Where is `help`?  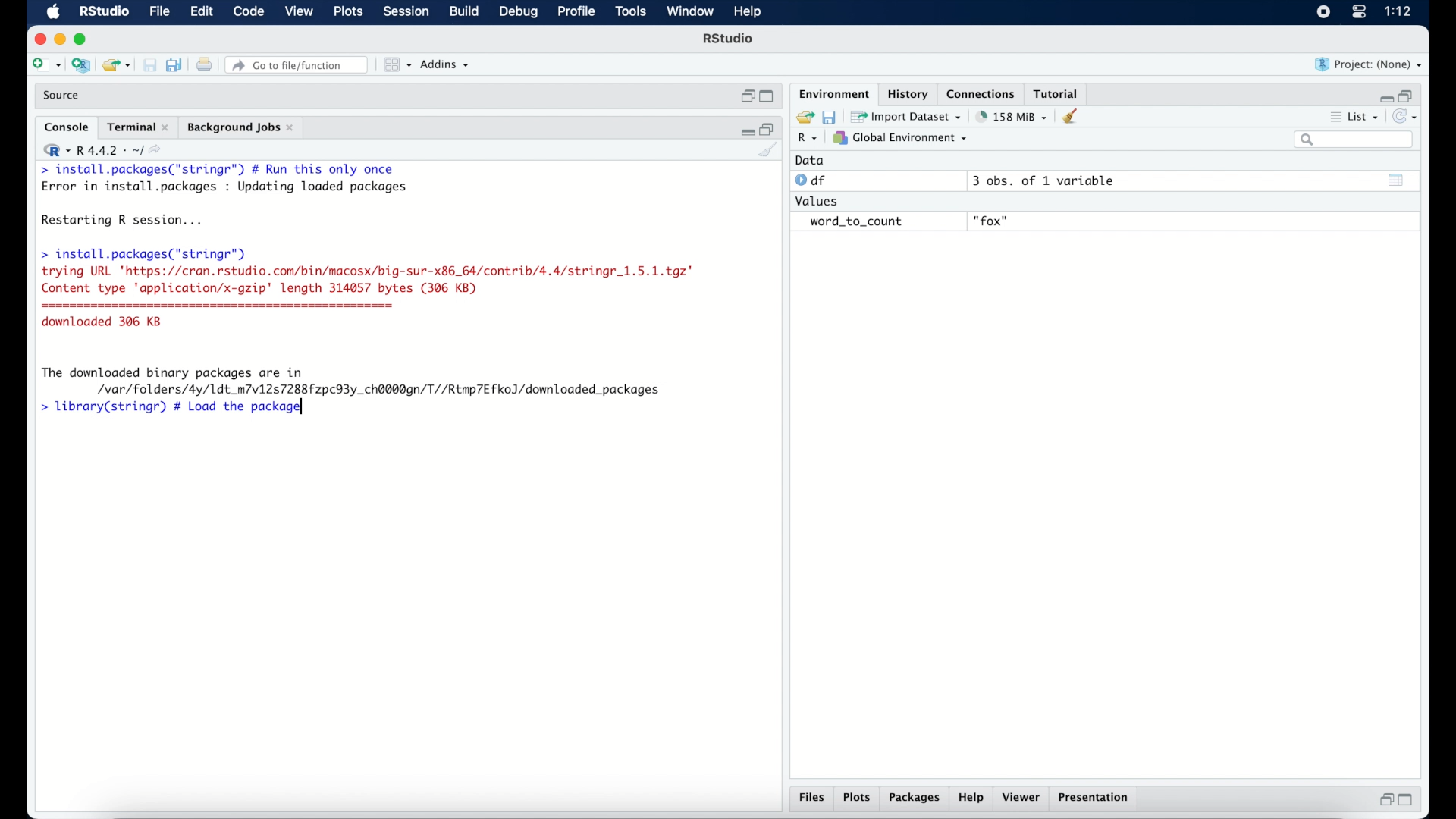
help is located at coordinates (973, 799).